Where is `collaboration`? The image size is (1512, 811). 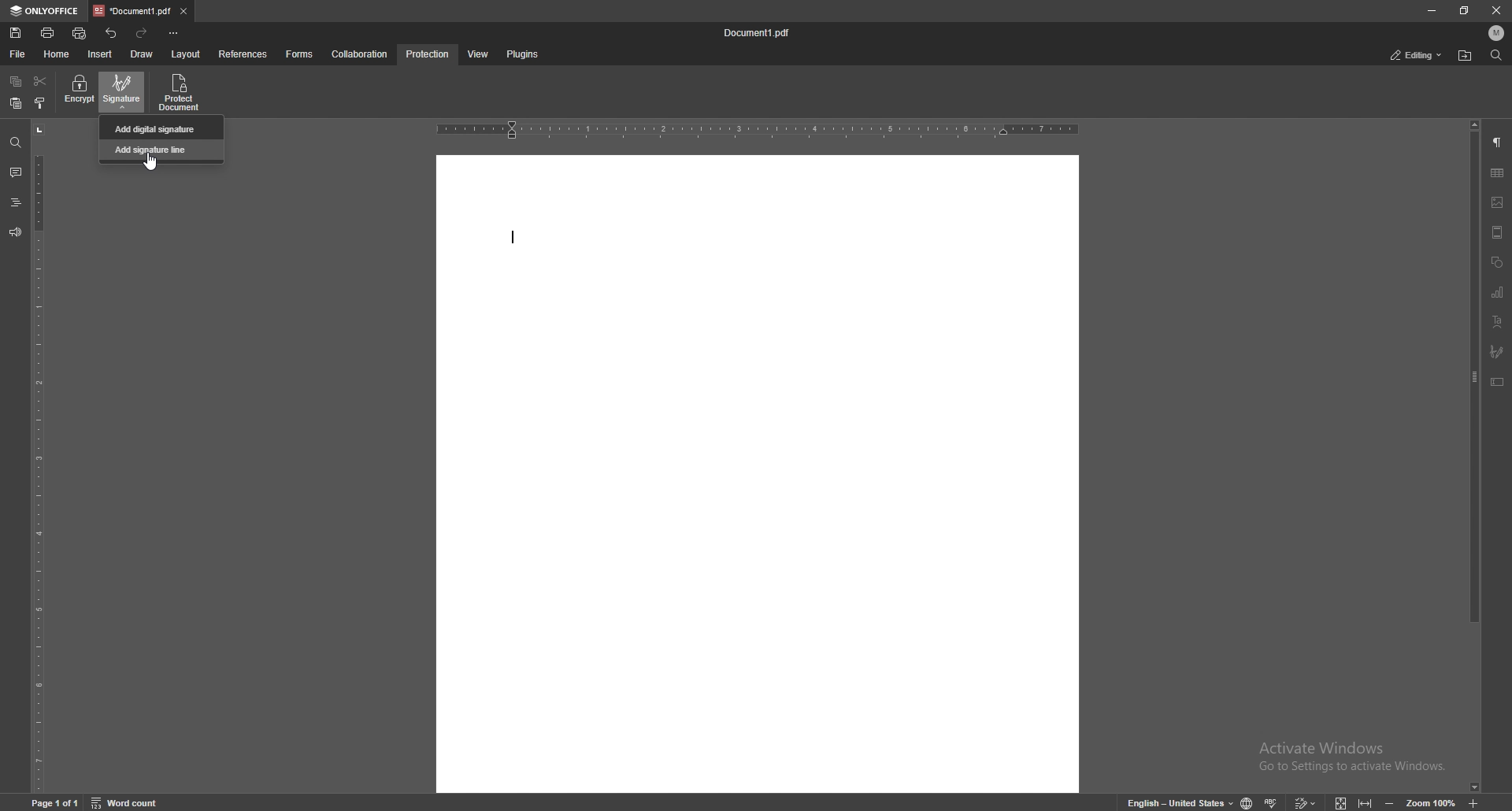 collaboration is located at coordinates (361, 54).